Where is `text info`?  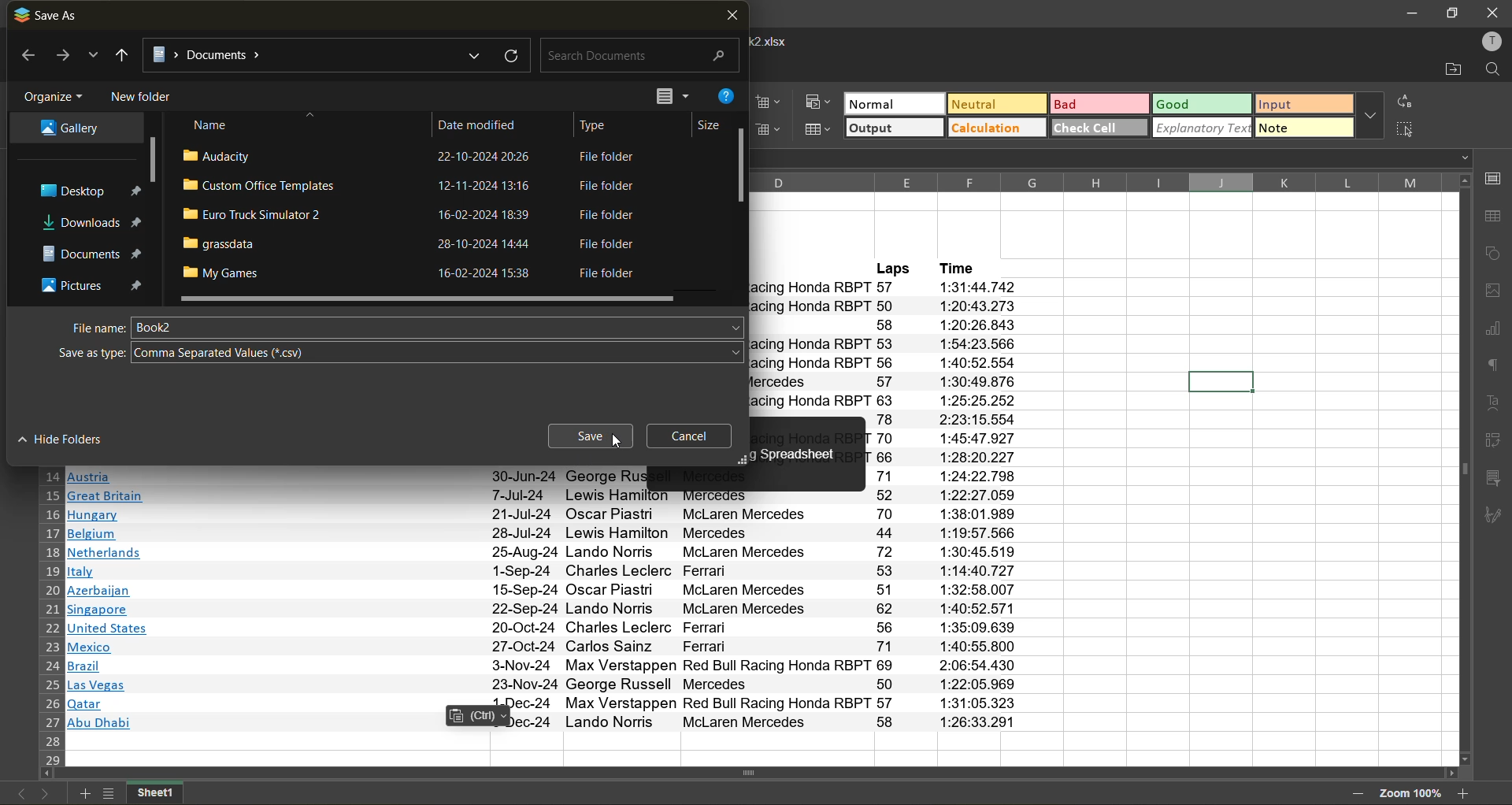
text info is located at coordinates (543, 571).